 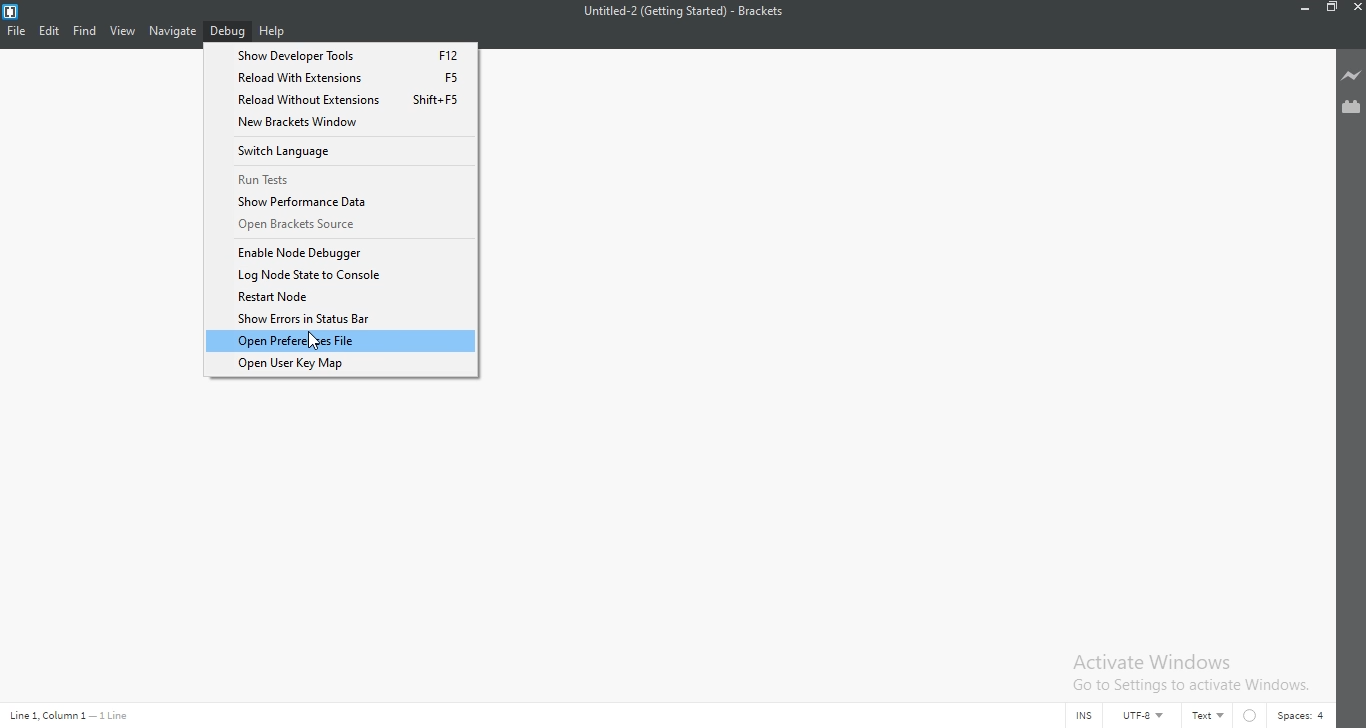 I want to click on New Brackets Window, so click(x=342, y=123).